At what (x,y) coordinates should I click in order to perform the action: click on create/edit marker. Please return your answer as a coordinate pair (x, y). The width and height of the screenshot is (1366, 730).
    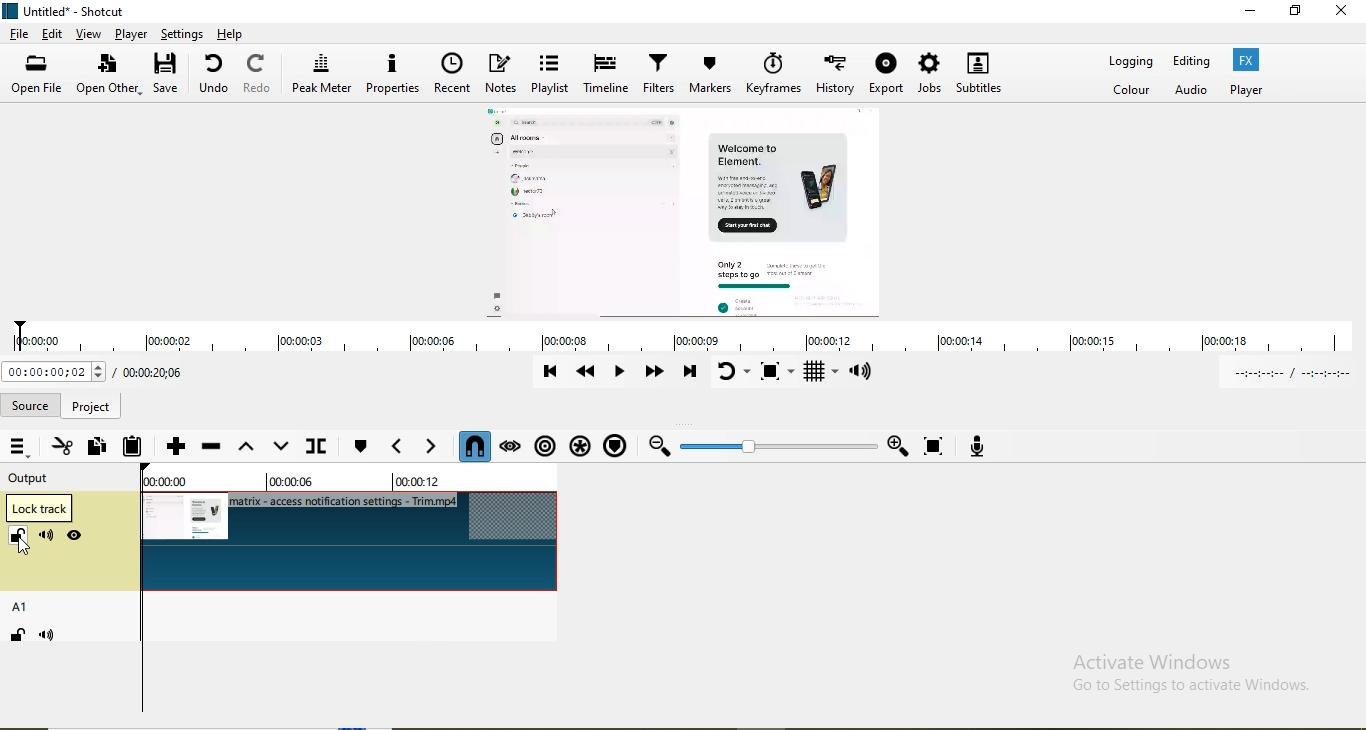
    Looking at the image, I should click on (359, 448).